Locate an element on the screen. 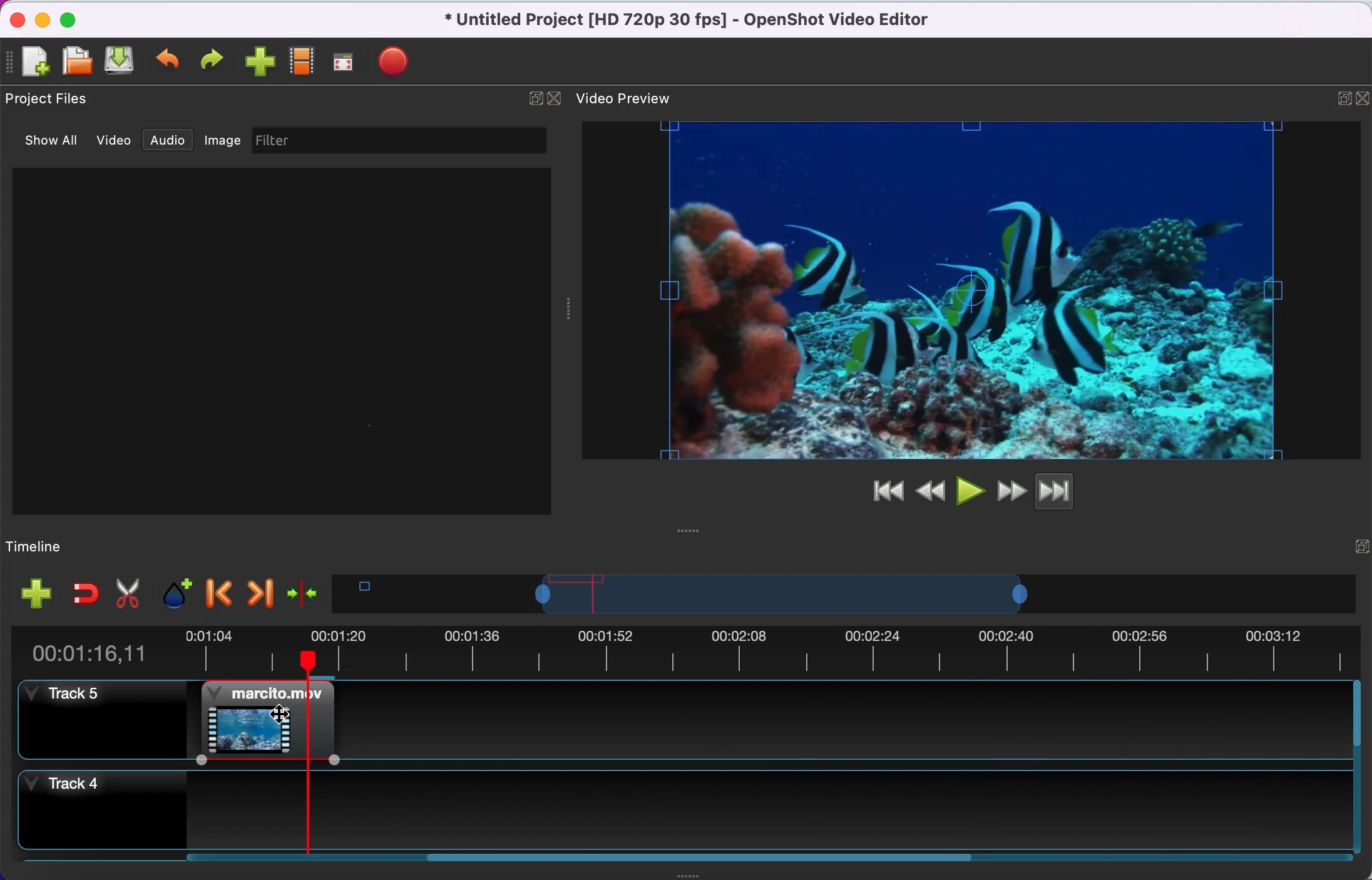 This screenshot has width=1372, height=880. video preview is located at coordinates (632, 97).